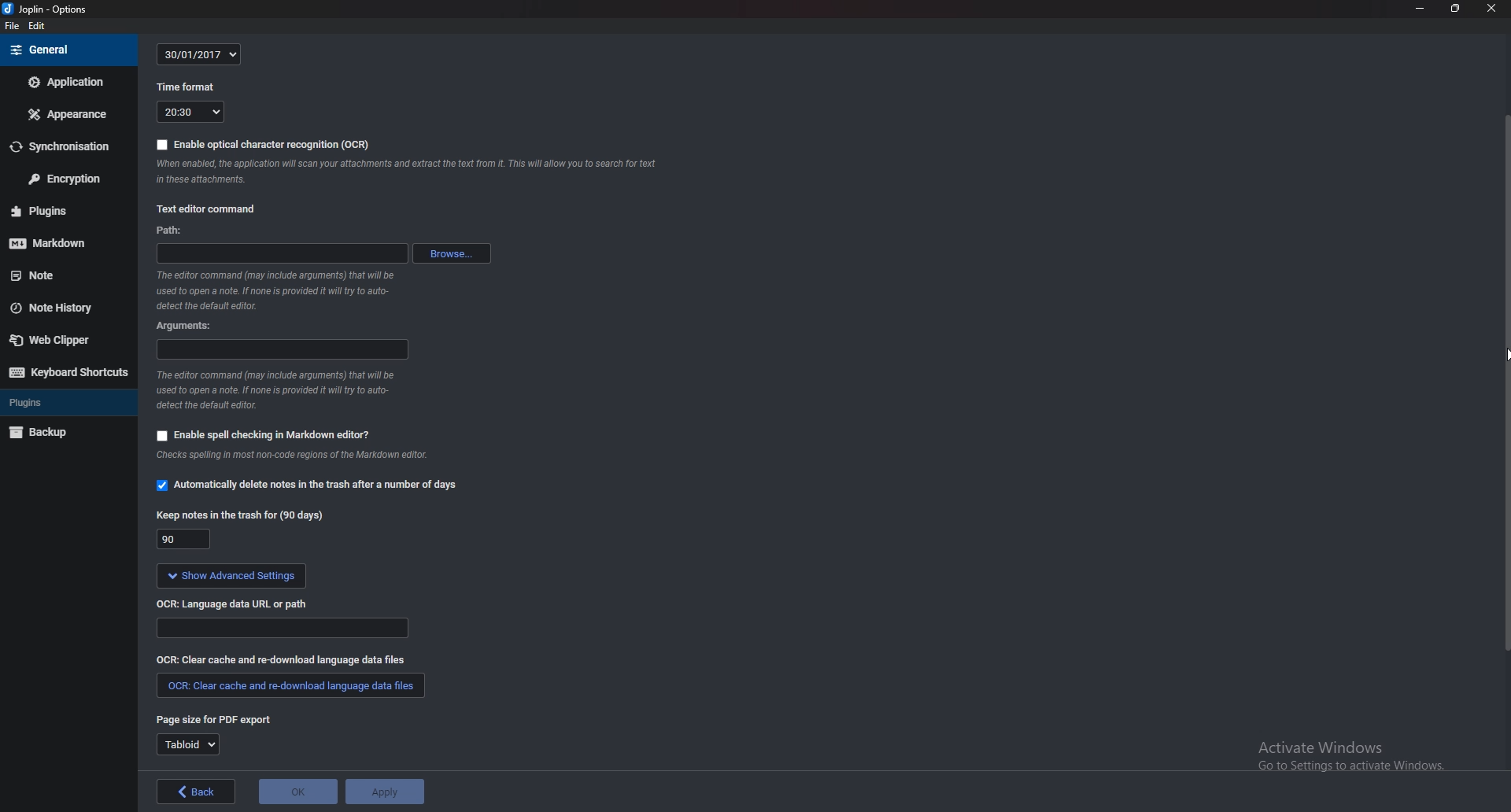 The height and width of the screenshot is (812, 1511). What do you see at coordinates (187, 744) in the screenshot?
I see `tabloid` at bounding box center [187, 744].